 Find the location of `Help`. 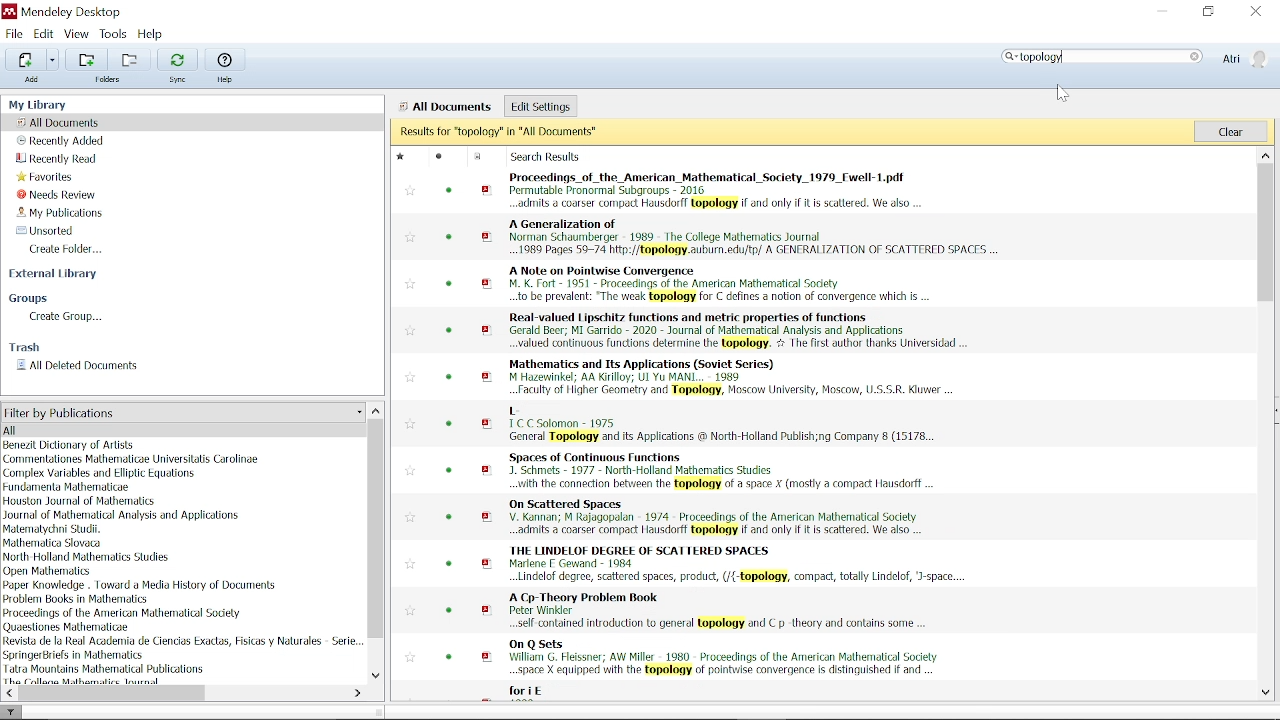

Help is located at coordinates (224, 59).